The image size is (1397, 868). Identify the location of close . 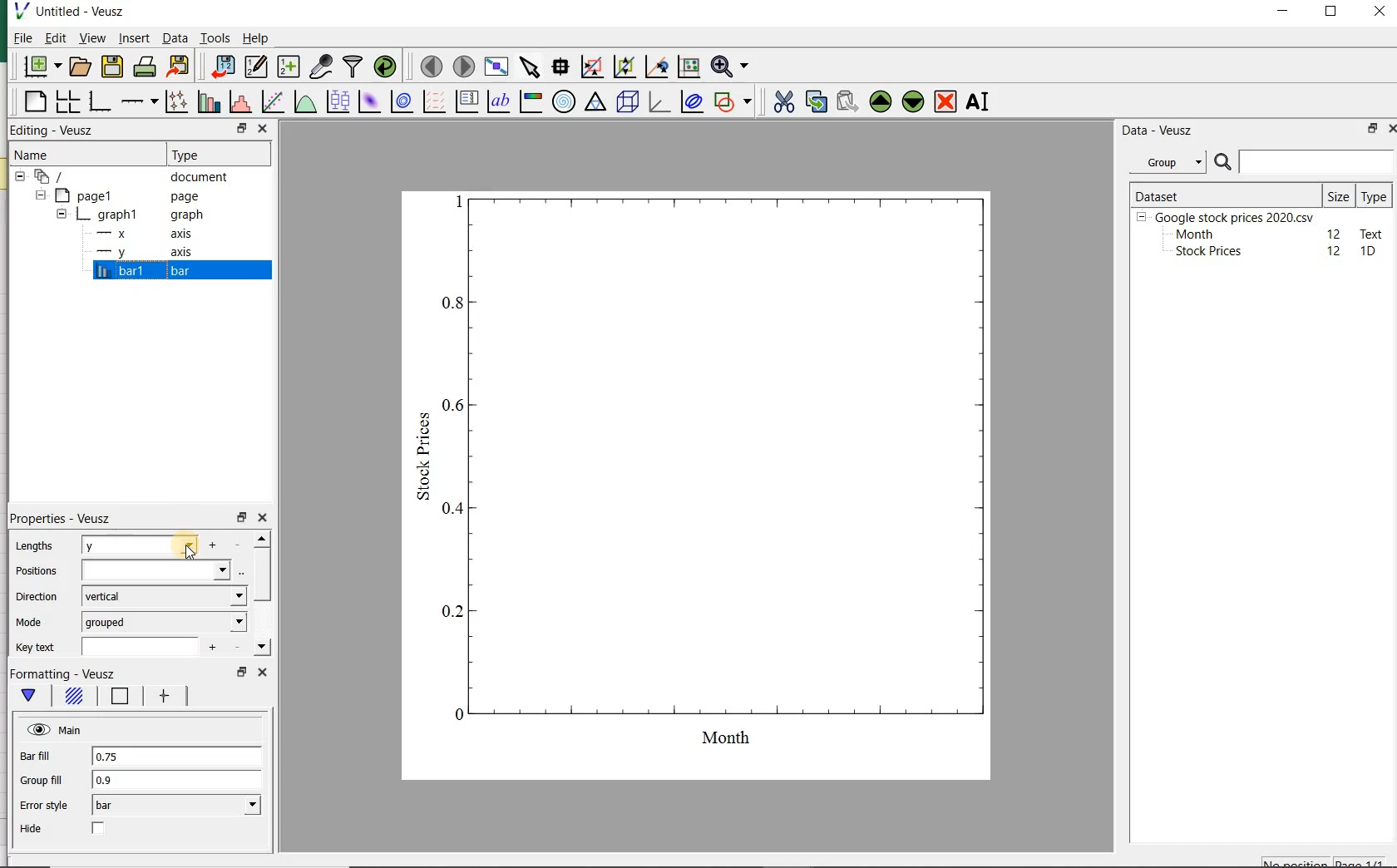
(1396, 129).